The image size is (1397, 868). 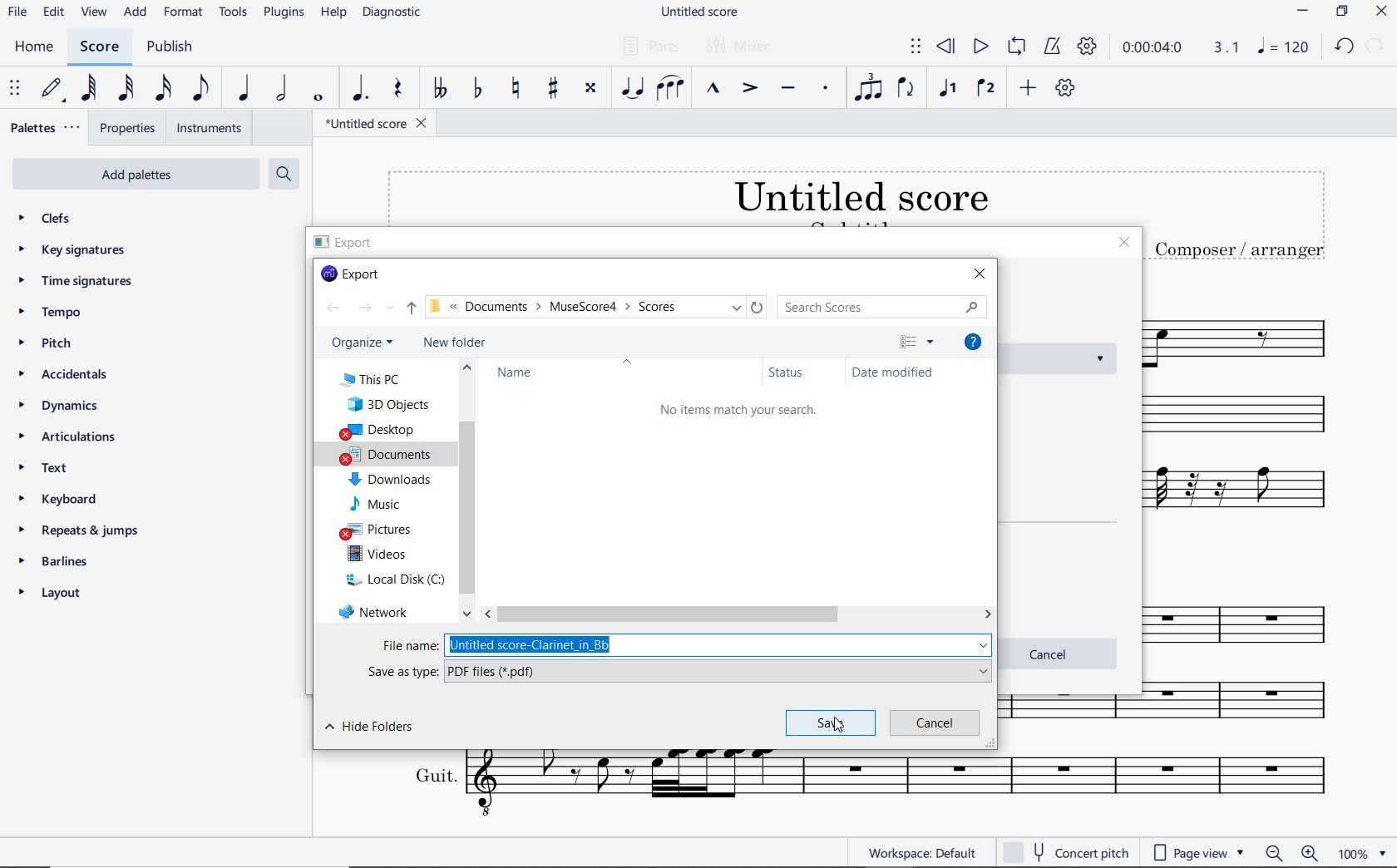 What do you see at coordinates (515, 89) in the screenshot?
I see `TOGGLE NATURAL` at bounding box center [515, 89].